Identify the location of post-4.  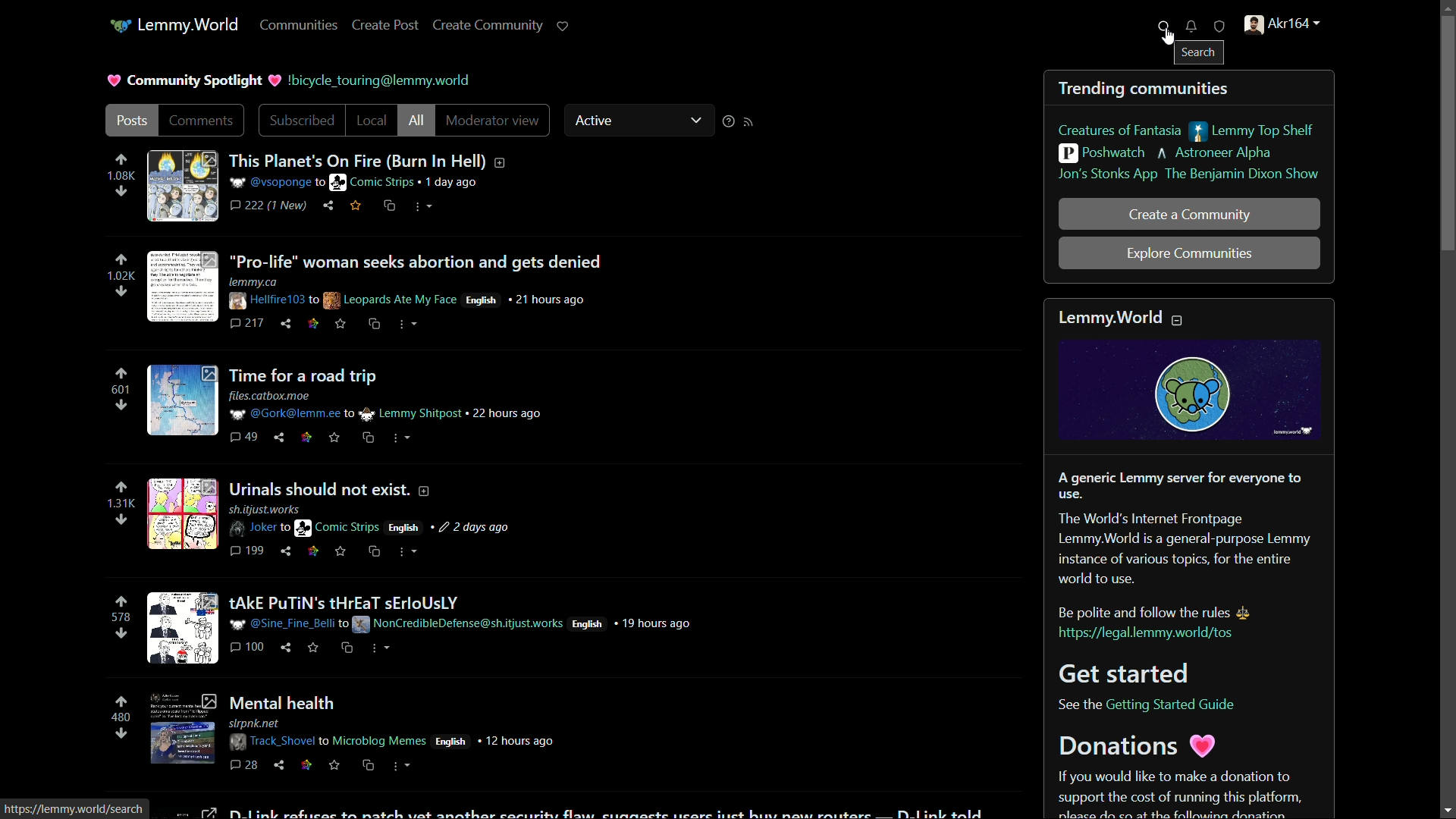
(331, 520).